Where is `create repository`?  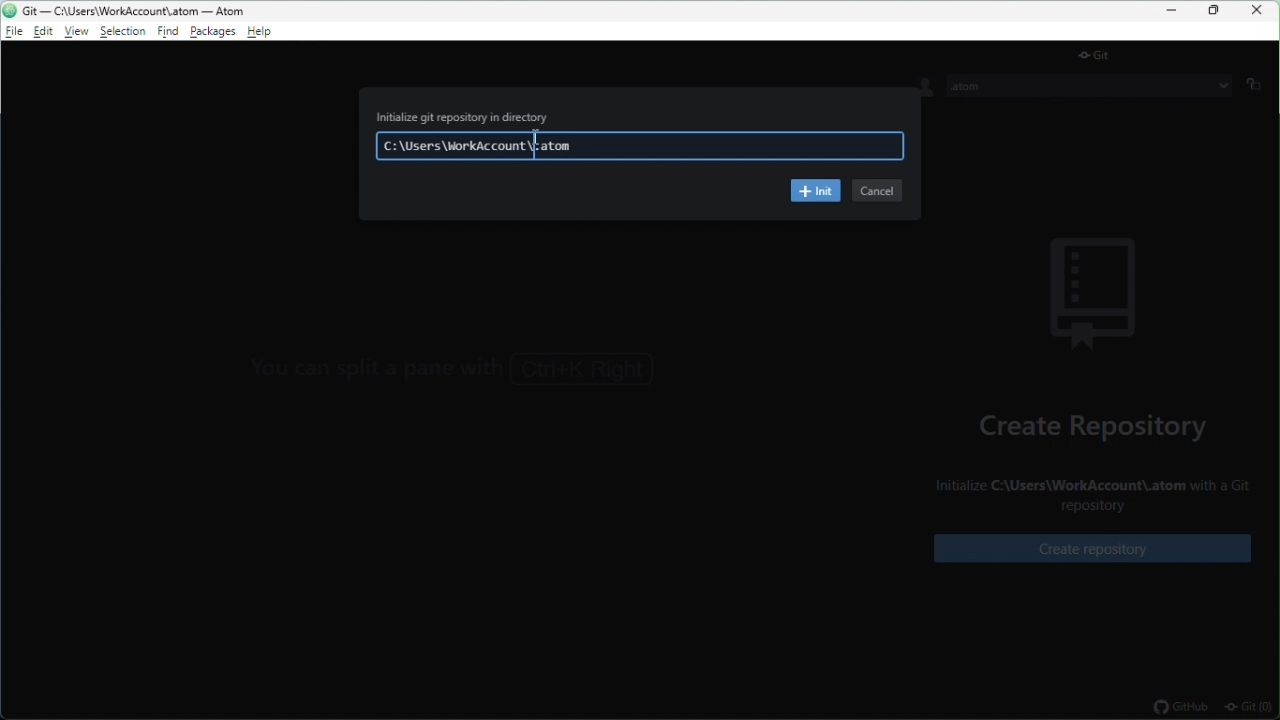 create repository is located at coordinates (1097, 425).